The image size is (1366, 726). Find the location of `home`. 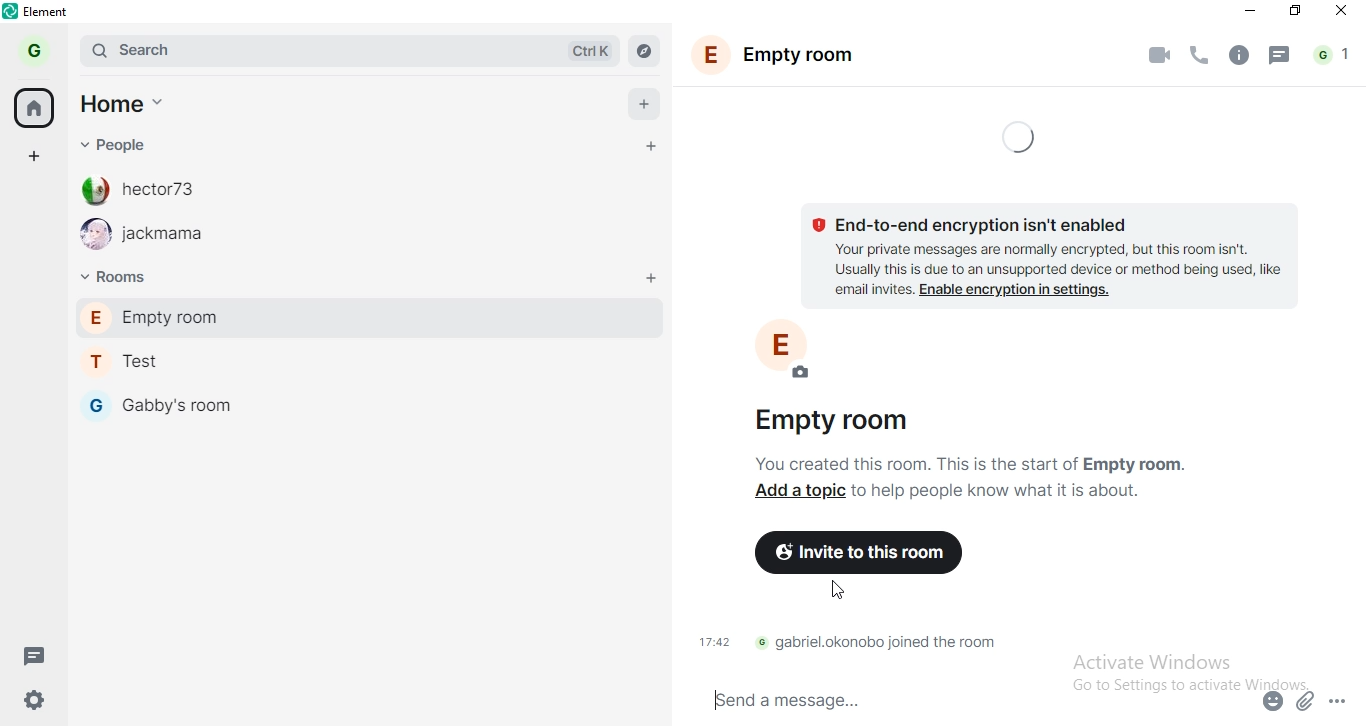

home is located at coordinates (121, 103).